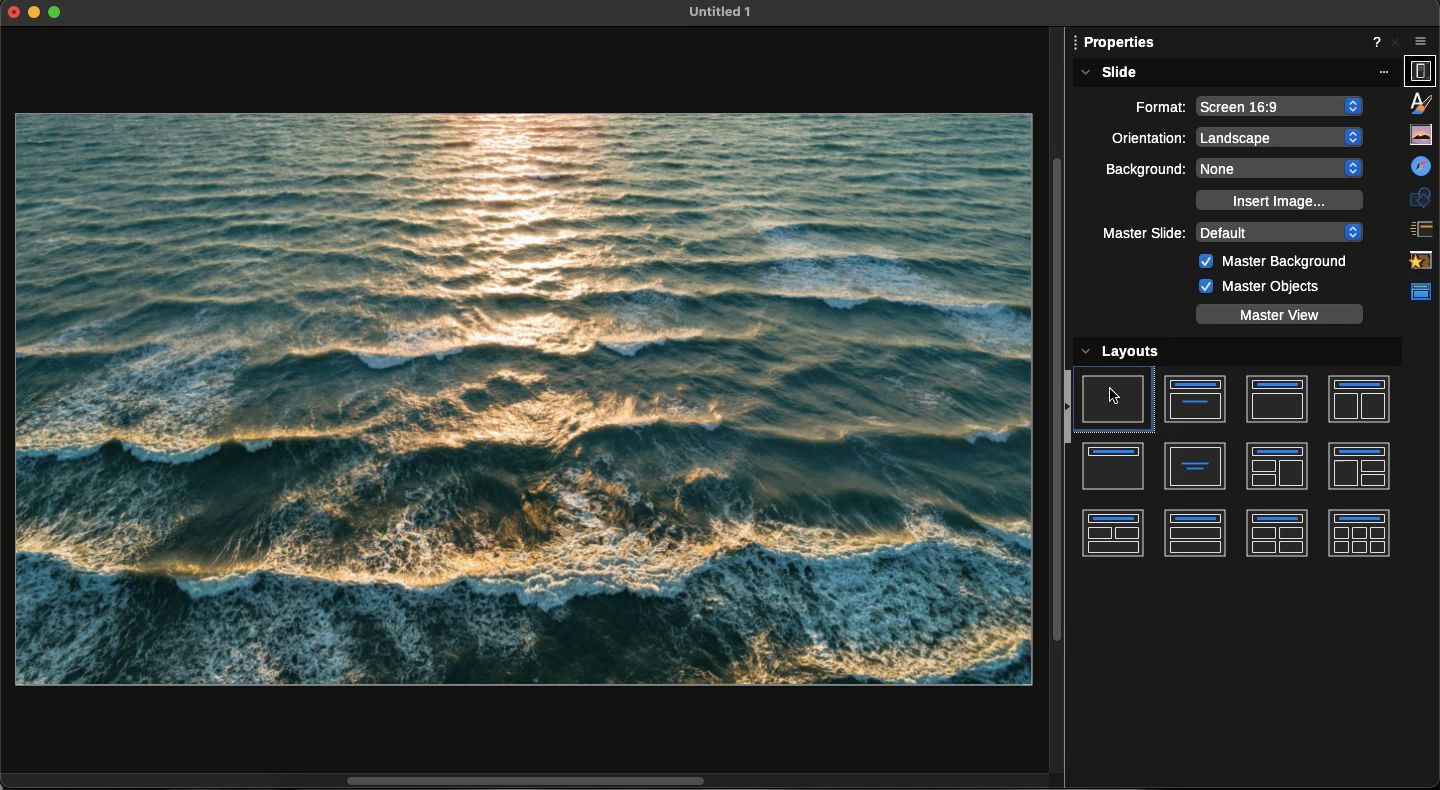 Image resolution: width=1440 pixels, height=790 pixels. What do you see at coordinates (1420, 167) in the screenshot?
I see `Navigator` at bounding box center [1420, 167].